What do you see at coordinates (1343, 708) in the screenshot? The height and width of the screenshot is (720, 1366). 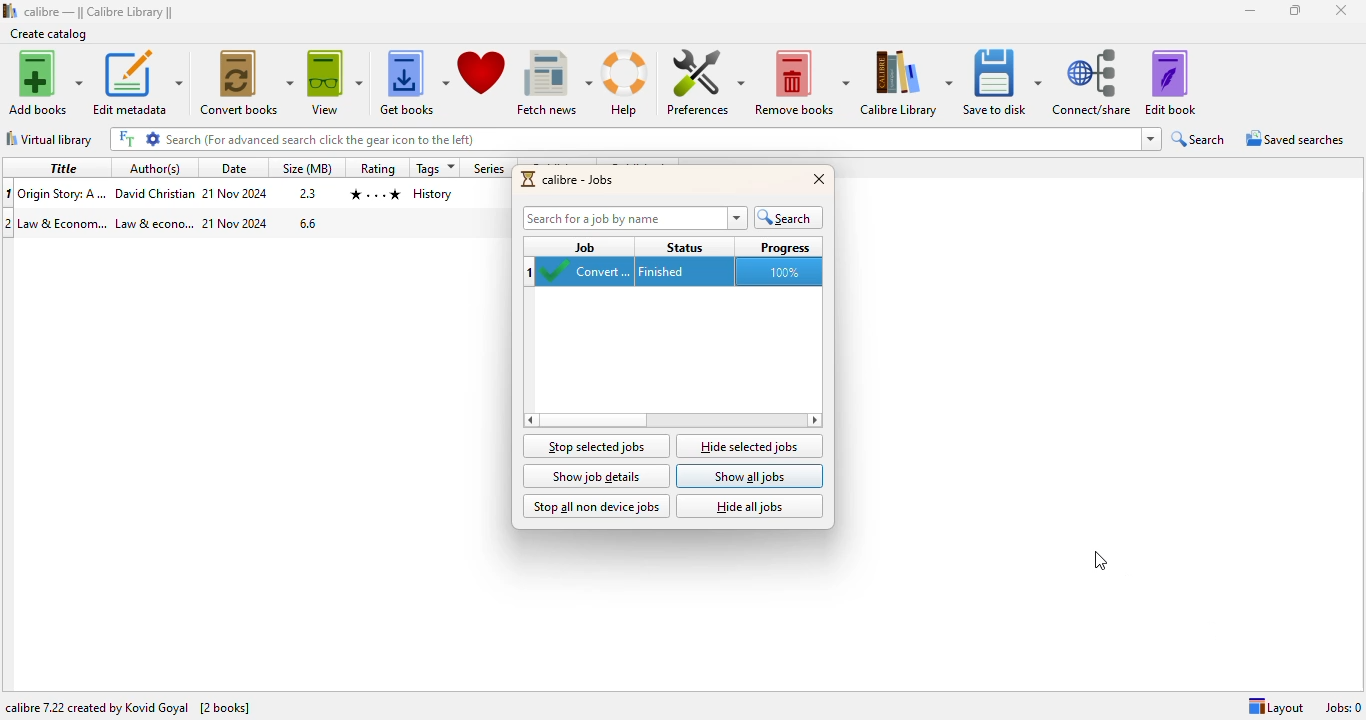 I see `Jobs: 0` at bounding box center [1343, 708].